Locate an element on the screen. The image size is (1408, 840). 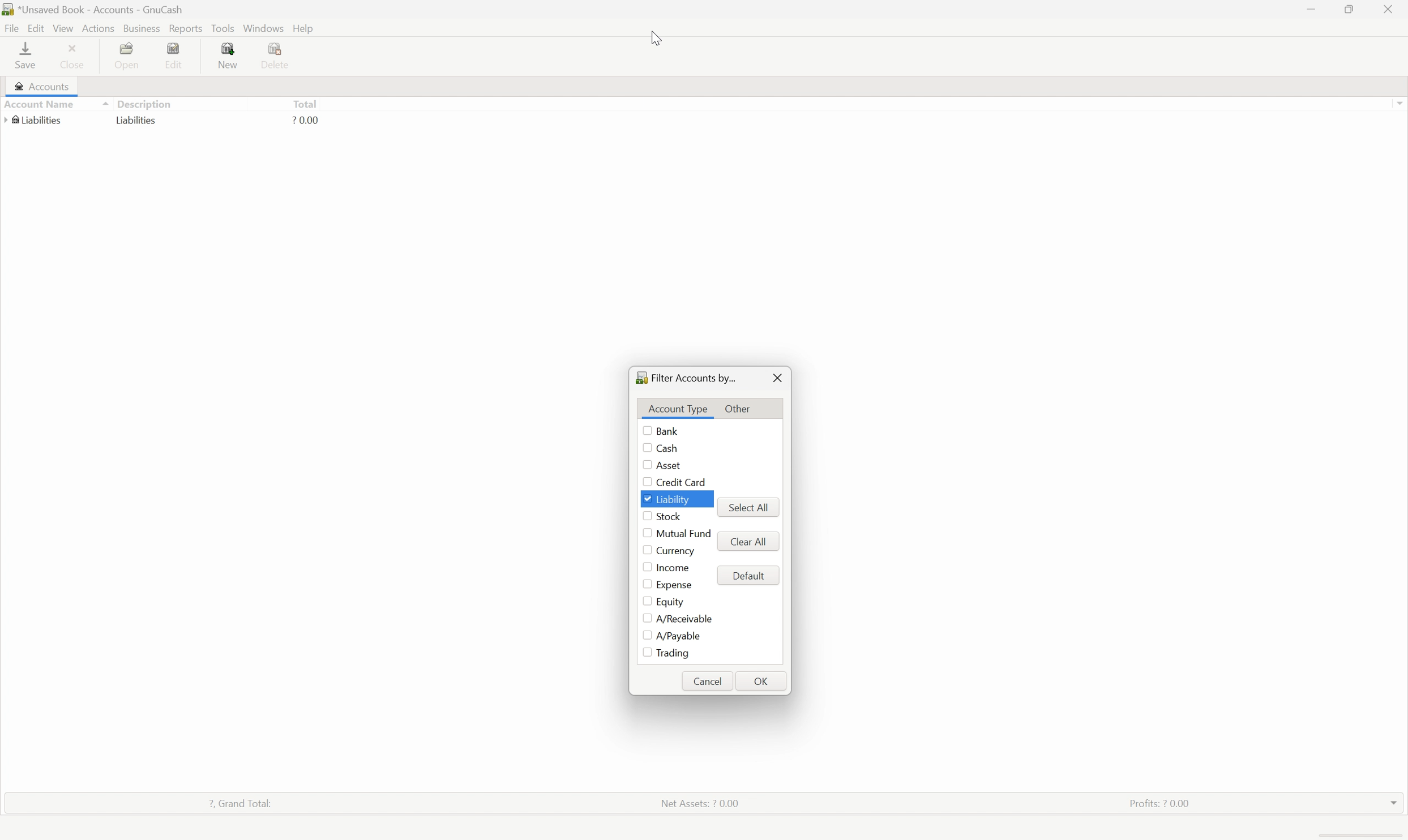
Cancel is located at coordinates (709, 679).